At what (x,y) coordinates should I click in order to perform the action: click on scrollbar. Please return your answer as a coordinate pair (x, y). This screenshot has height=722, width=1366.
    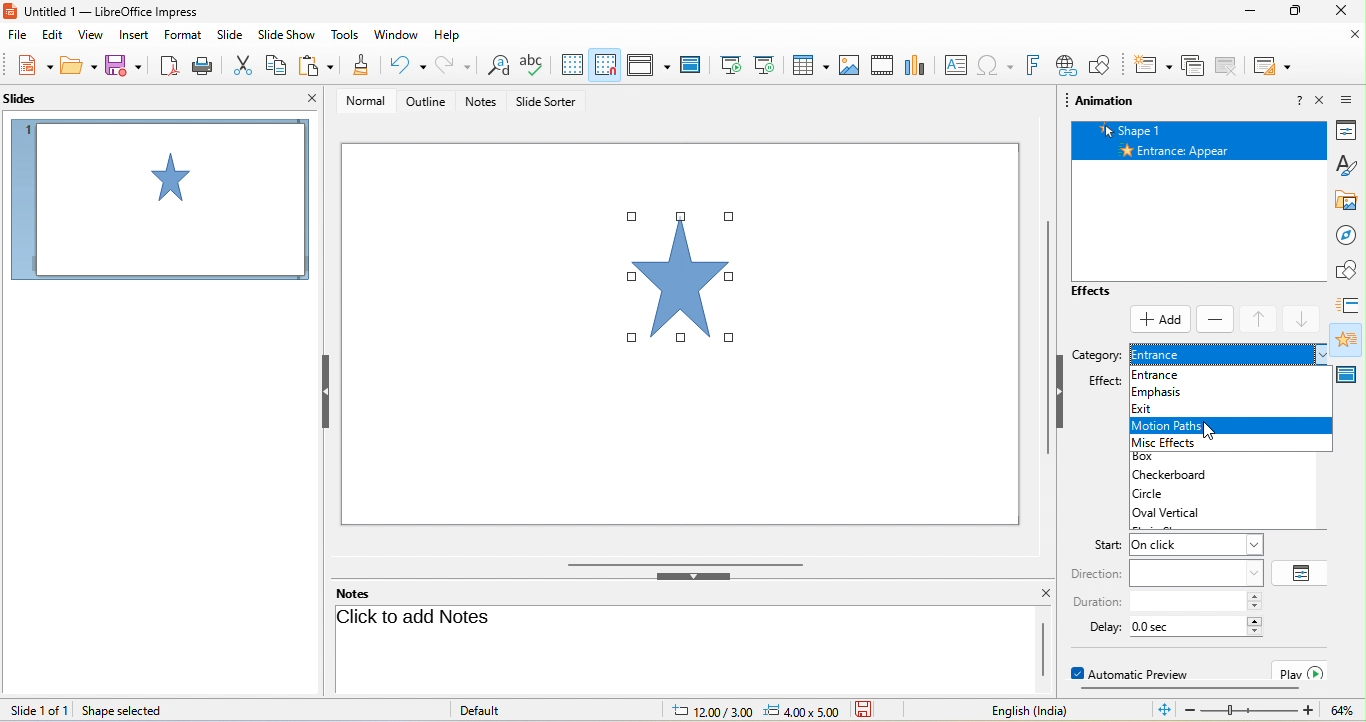
    Looking at the image, I should click on (1043, 650).